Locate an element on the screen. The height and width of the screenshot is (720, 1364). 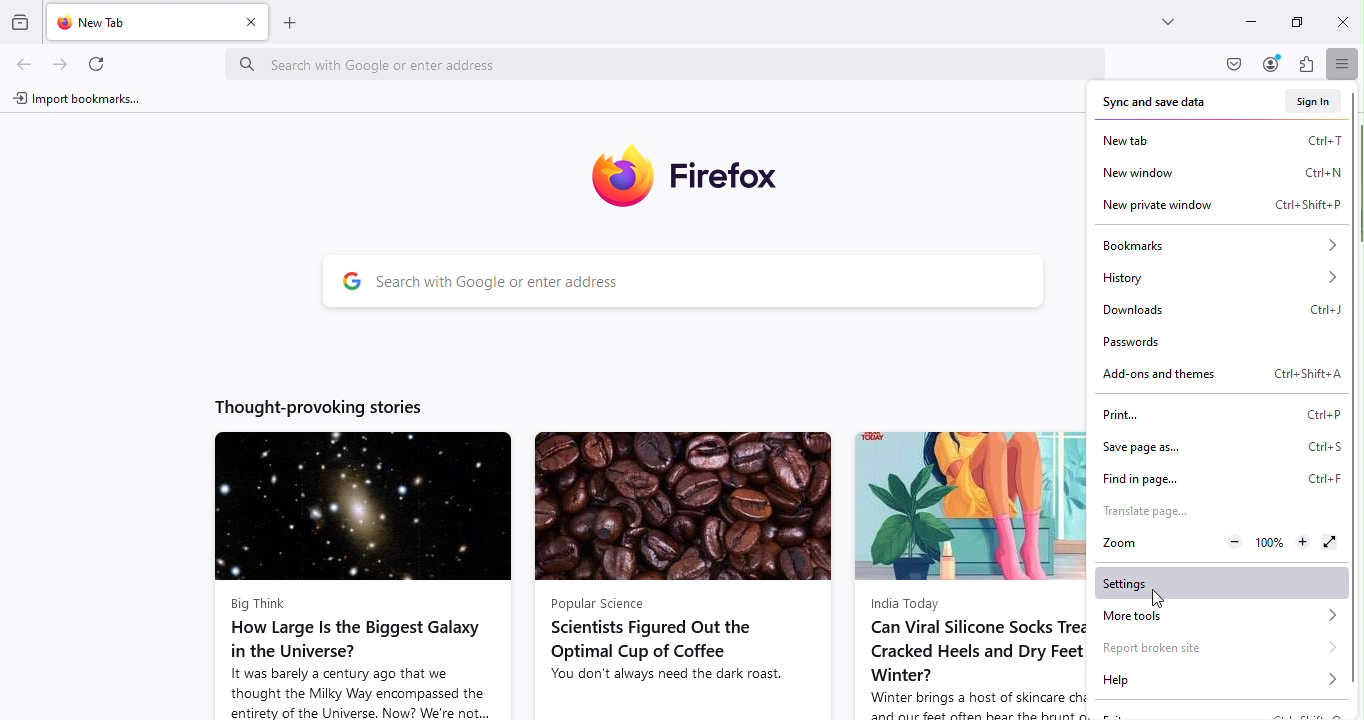
news article by big think is located at coordinates (362, 575).